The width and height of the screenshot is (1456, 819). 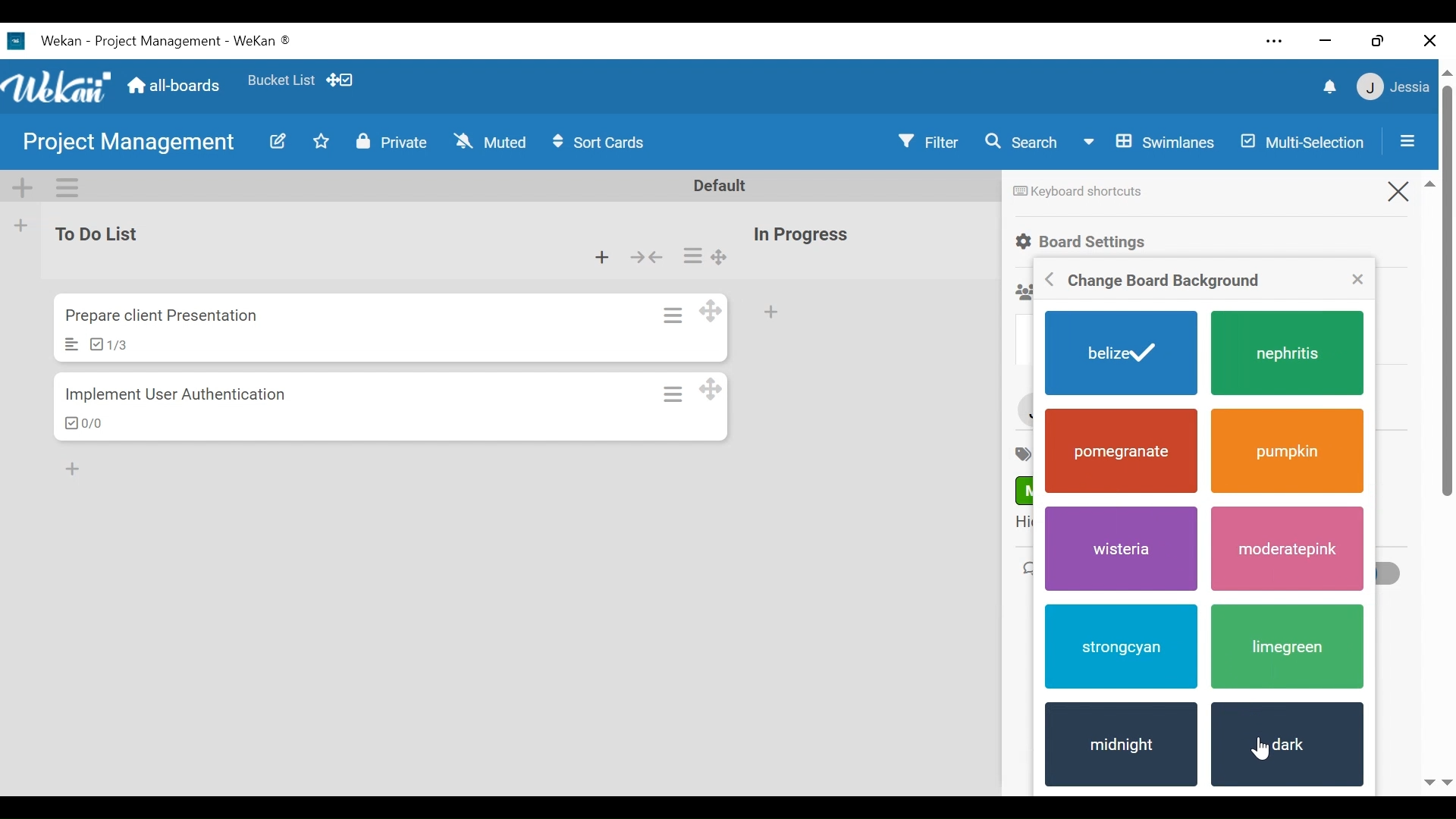 What do you see at coordinates (1288, 453) in the screenshot?
I see `pumpkin` at bounding box center [1288, 453].